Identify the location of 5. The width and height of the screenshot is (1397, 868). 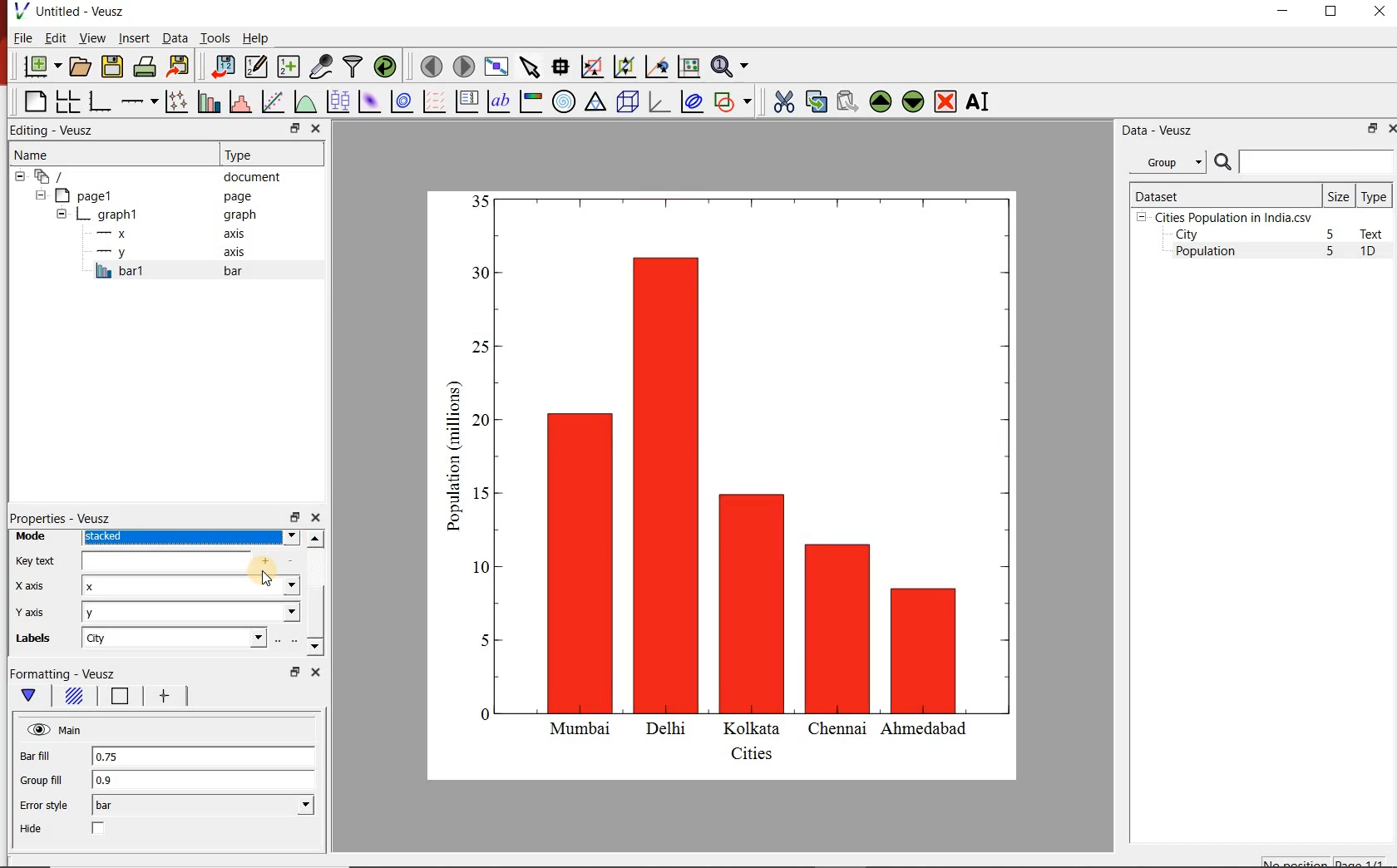
(1331, 252).